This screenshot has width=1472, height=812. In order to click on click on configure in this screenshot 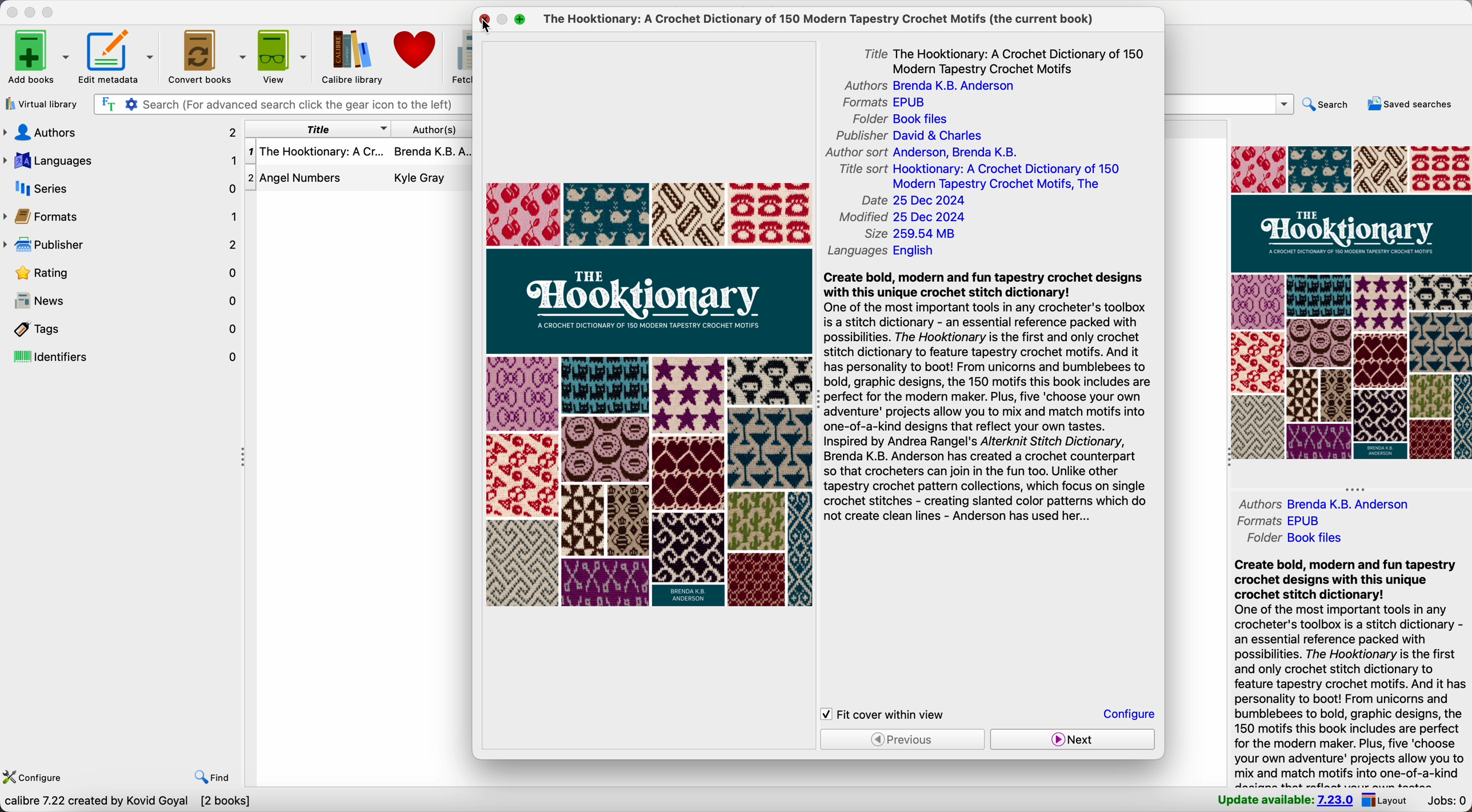, I will do `click(1131, 715)`.